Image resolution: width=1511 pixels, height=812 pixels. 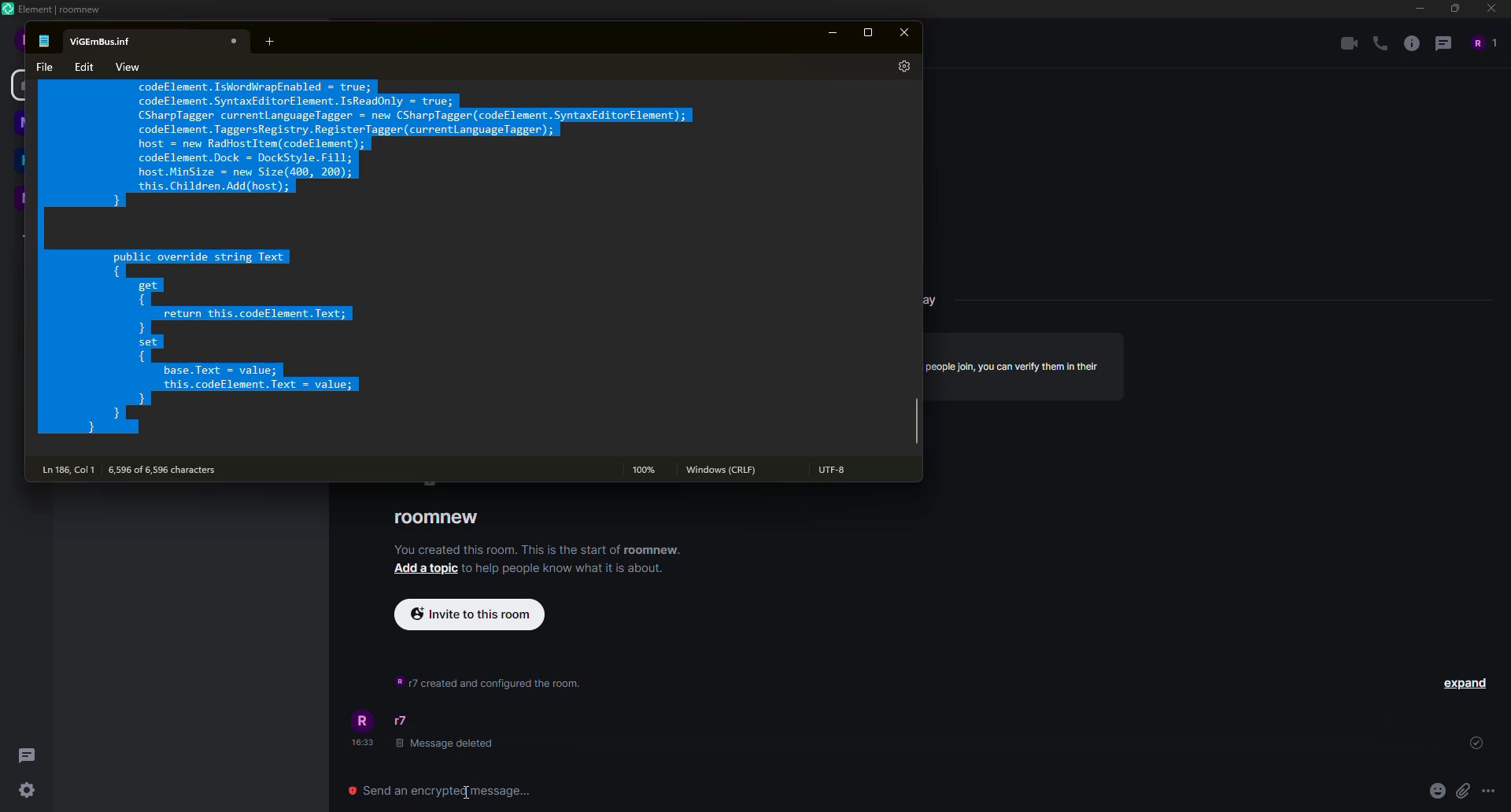 I want to click on more, so click(x=1488, y=789).